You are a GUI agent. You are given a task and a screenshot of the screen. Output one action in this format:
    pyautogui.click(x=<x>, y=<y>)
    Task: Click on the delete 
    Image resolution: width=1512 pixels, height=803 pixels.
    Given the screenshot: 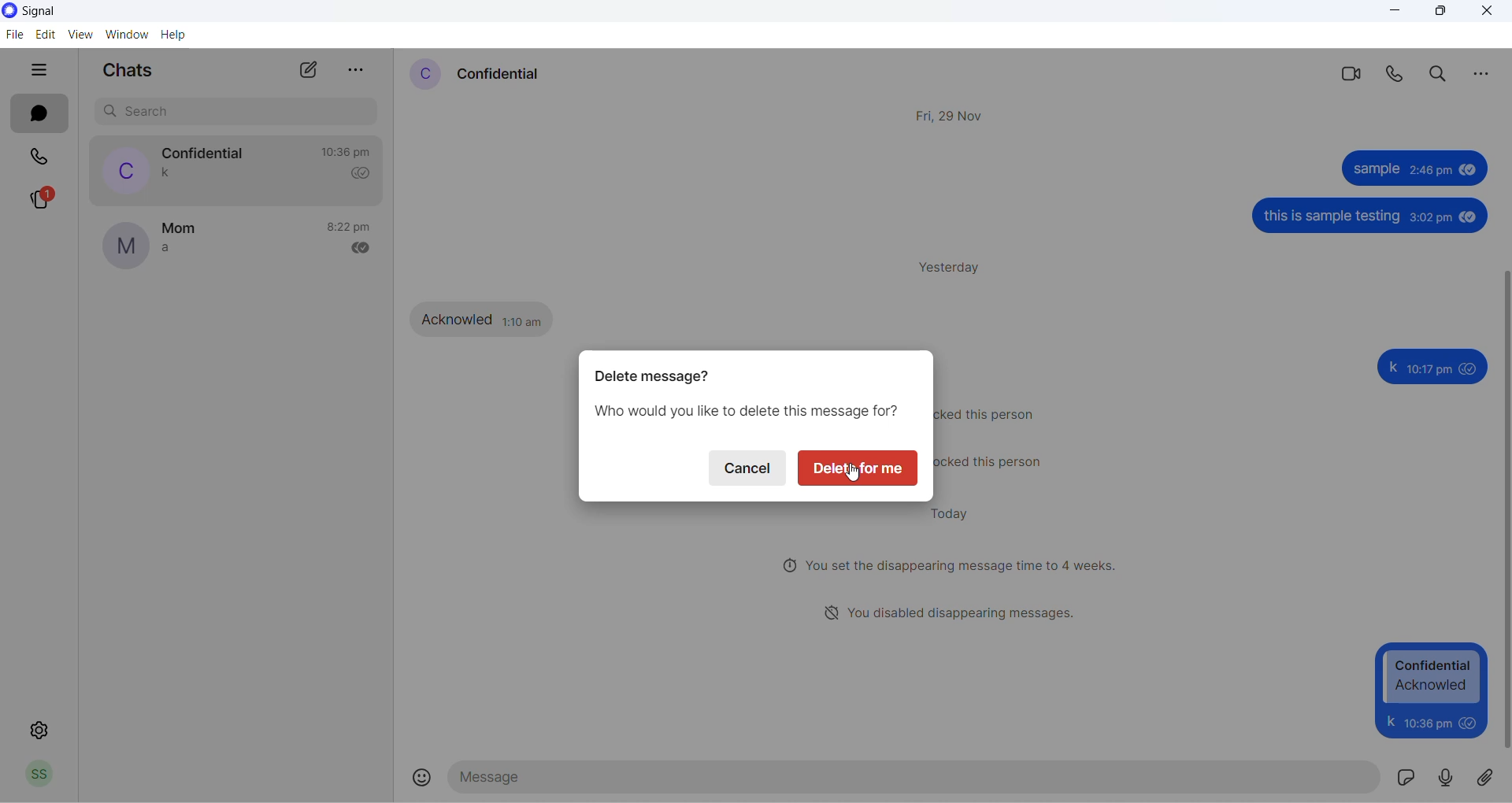 What is the action you would take?
    pyautogui.click(x=858, y=469)
    